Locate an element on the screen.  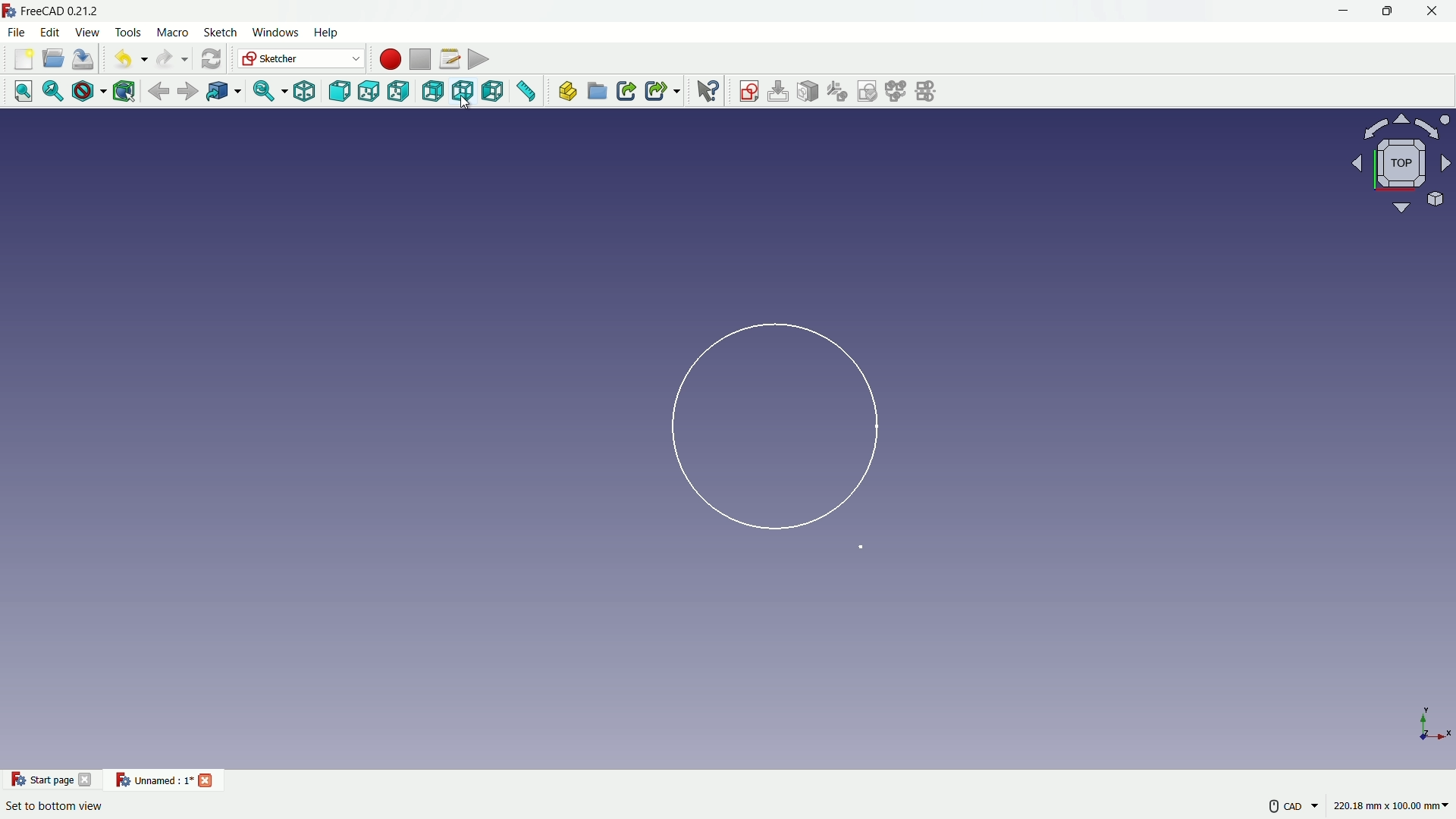
measure distance is located at coordinates (529, 93).